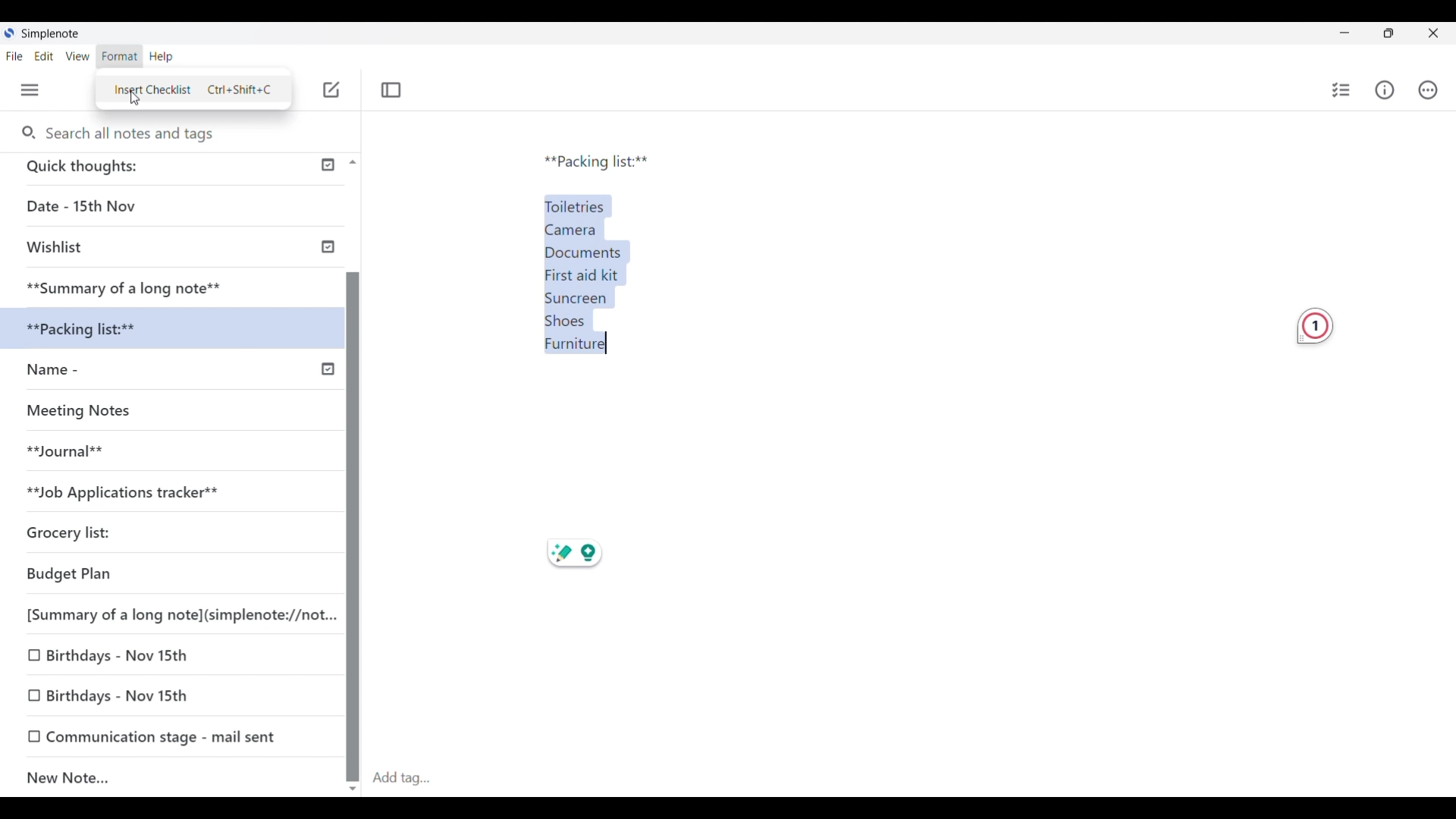 Image resolution: width=1456 pixels, height=819 pixels. Describe the element at coordinates (328, 267) in the screenshot. I see `Check icon indicating published notes` at that location.